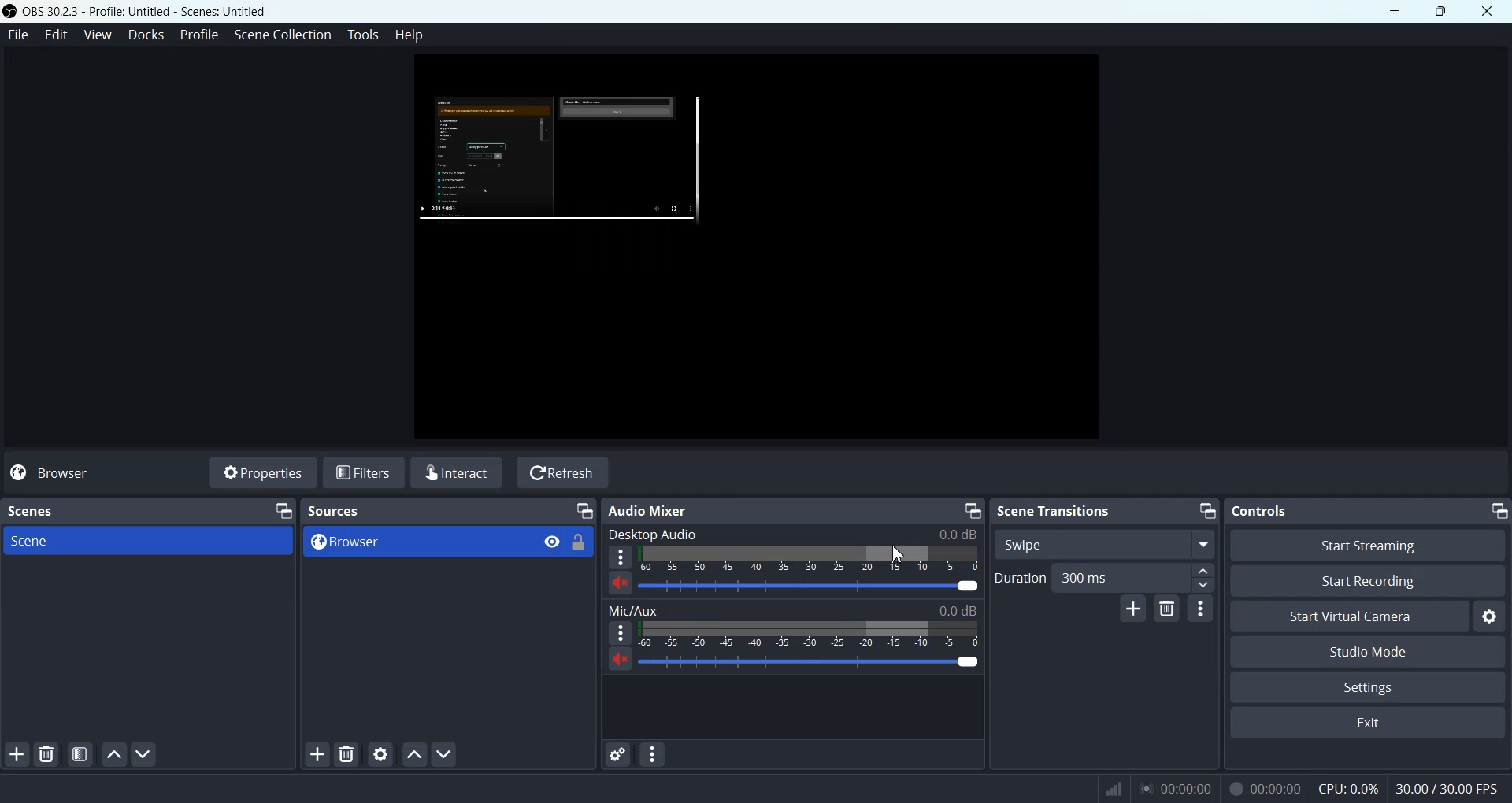 Image resolution: width=1512 pixels, height=803 pixels. Describe the element at coordinates (972, 509) in the screenshot. I see `Minimize` at that location.